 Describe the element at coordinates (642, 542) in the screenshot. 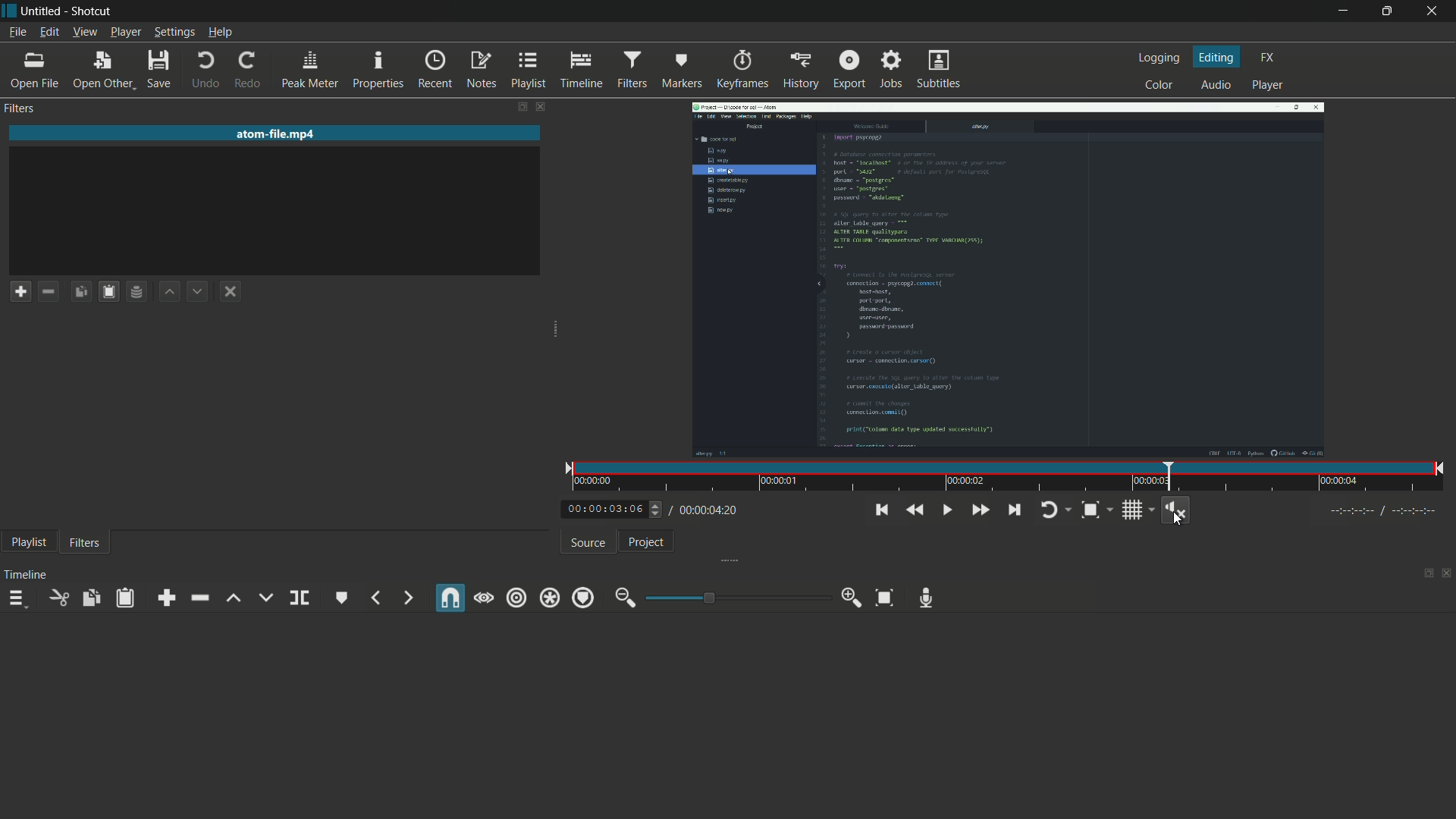

I see `project` at that location.